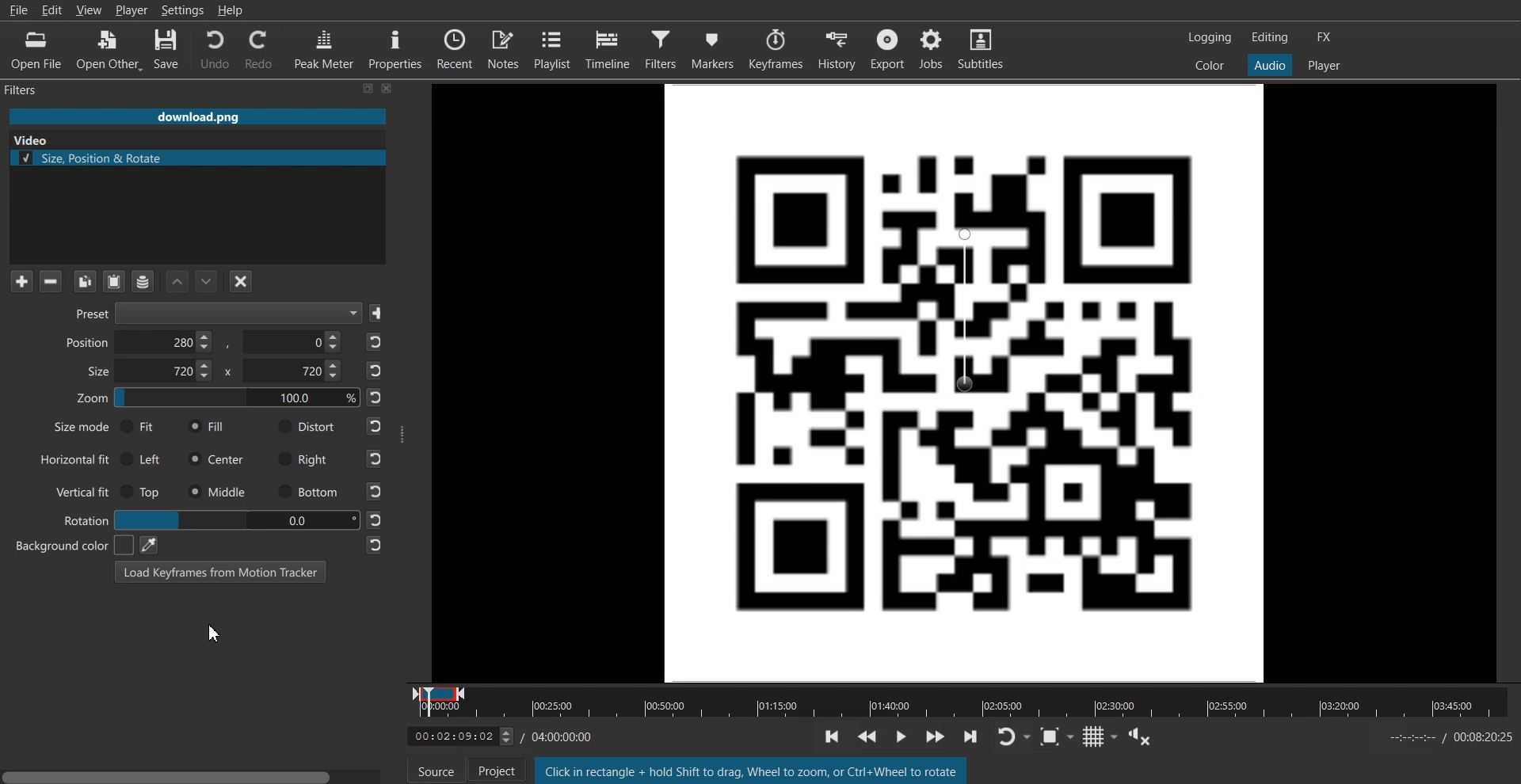 This screenshot has width=1521, height=784. What do you see at coordinates (322, 50) in the screenshot?
I see `Peak Meter` at bounding box center [322, 50].